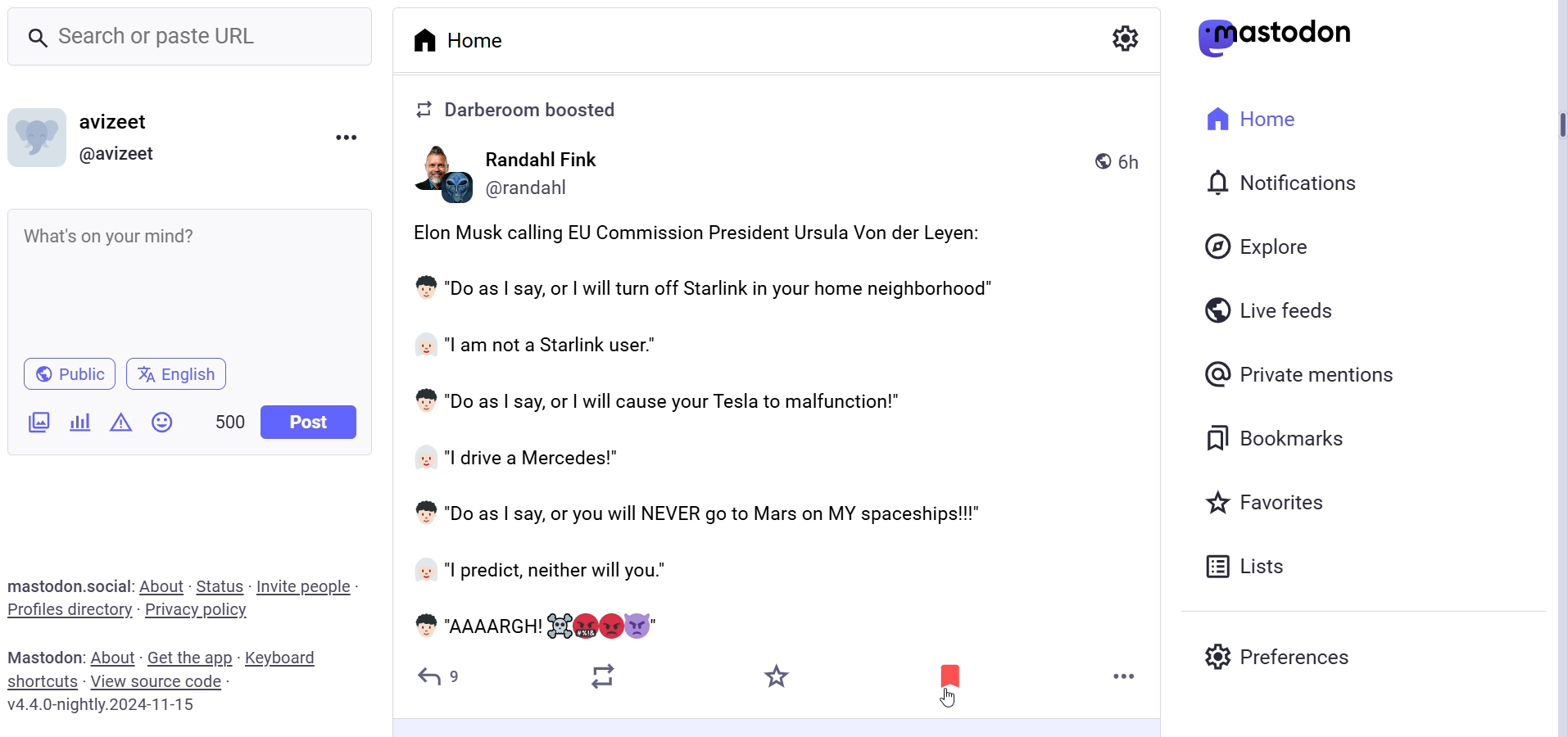  Describe the element at coordinates (703, 233) in the screenshot. I see `Elon Musk calling EU Commission President Ursula Von der Leyen:` at that location.